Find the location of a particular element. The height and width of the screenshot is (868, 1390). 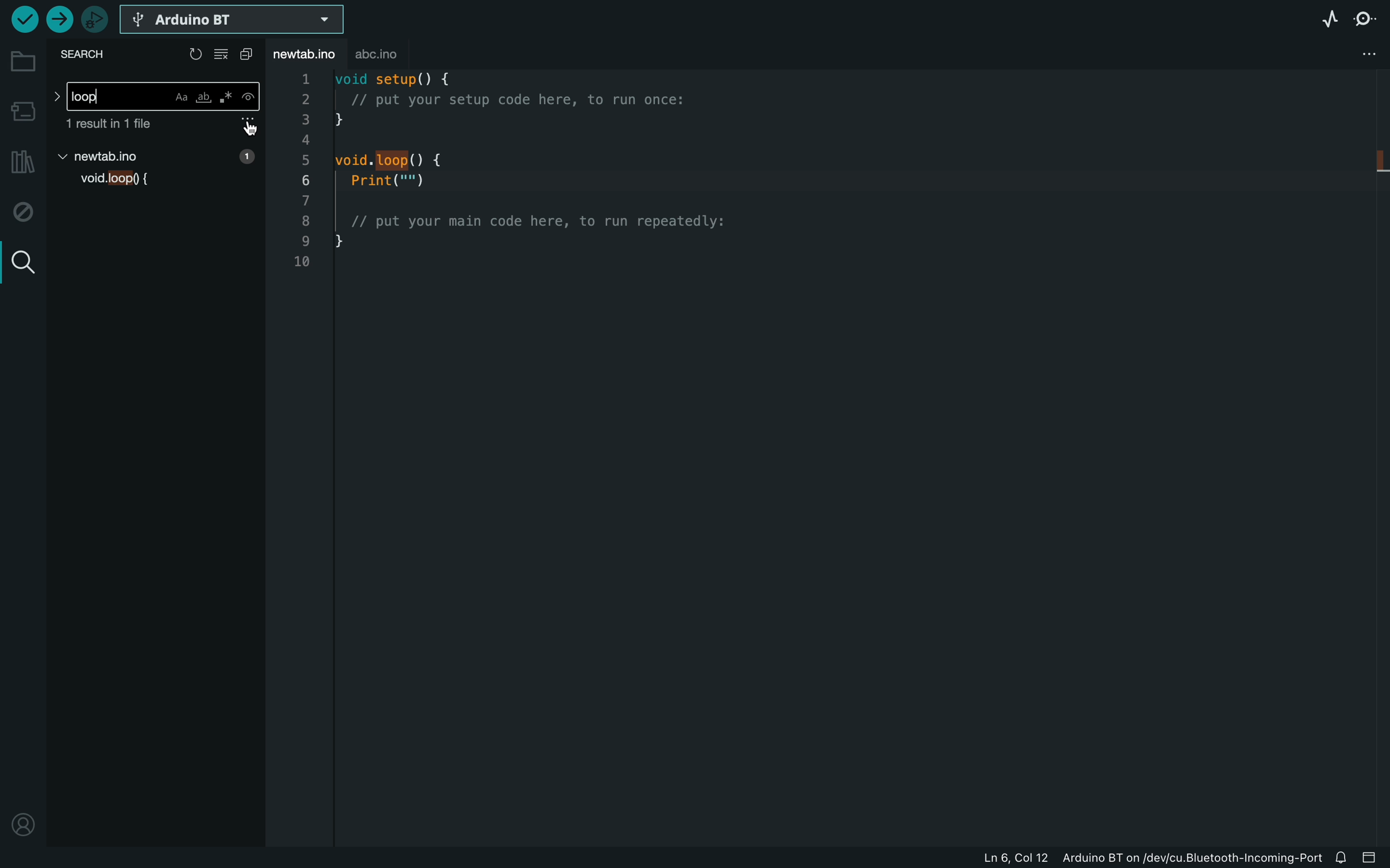

abc is located at coordinates (391, 54).